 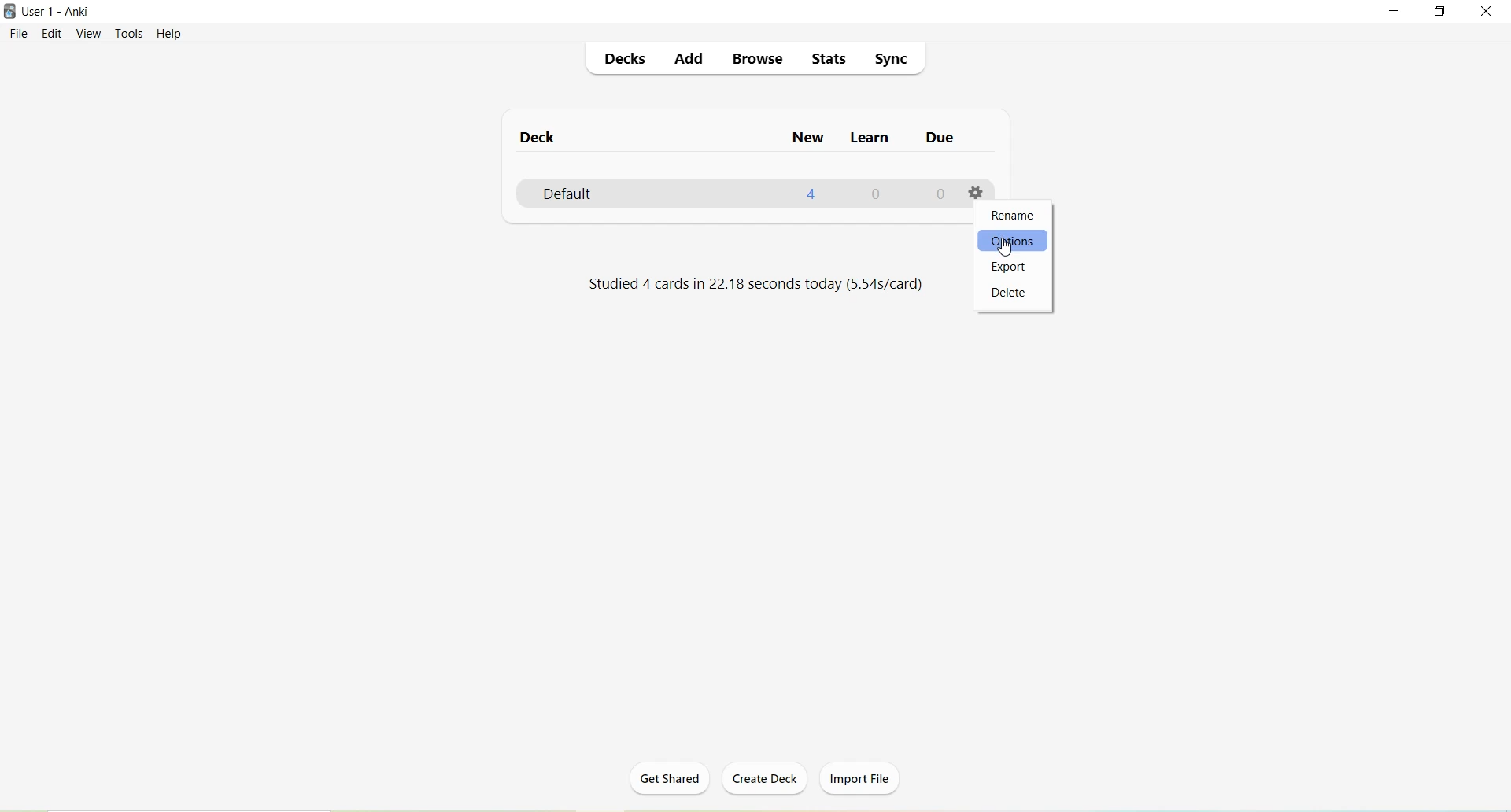 What do you see at coordinates (1018, 268) in the screenshot?
I see `Export` at bounding box center [1018, 268].